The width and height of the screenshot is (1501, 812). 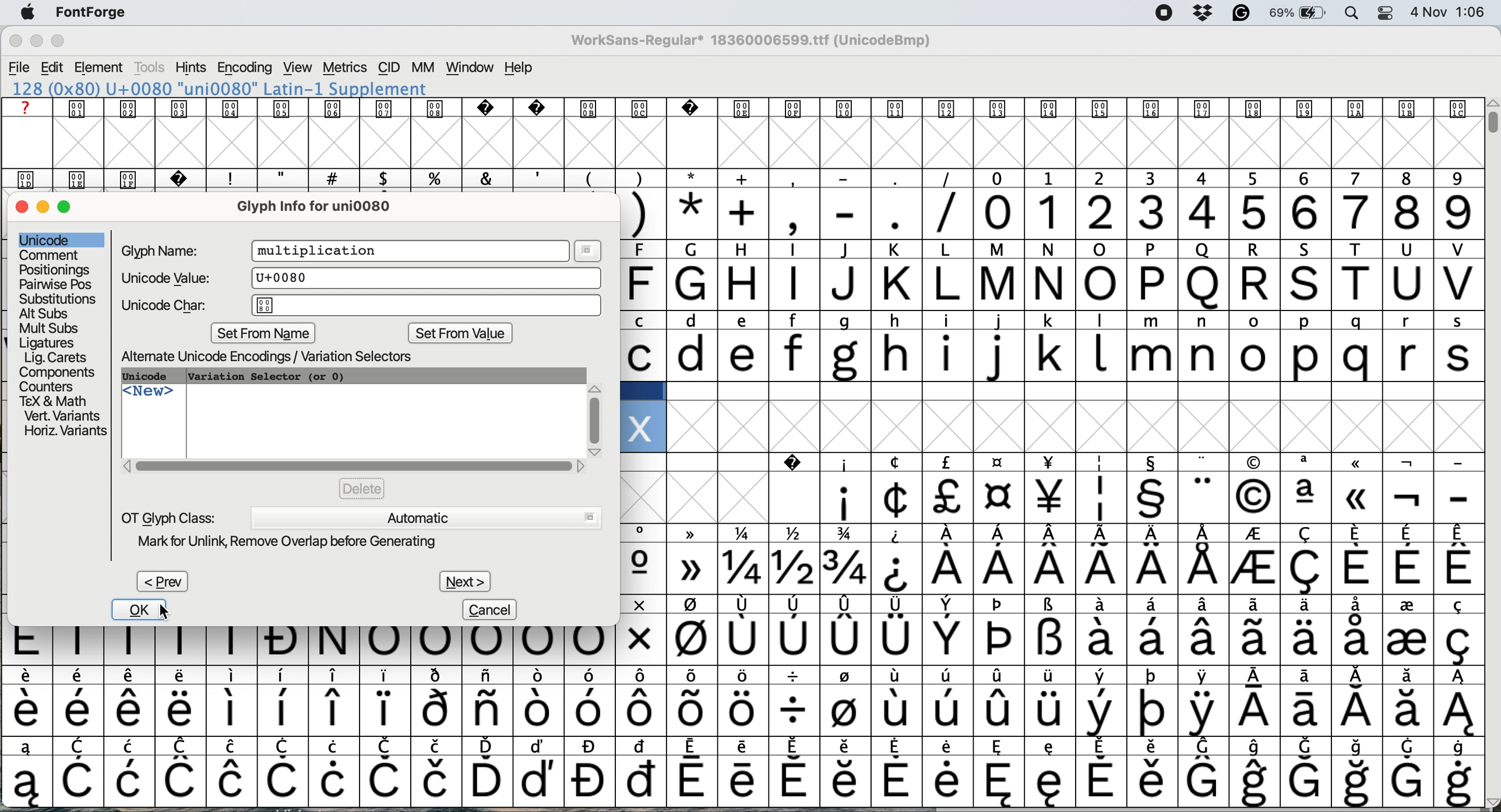 What do you see at coordinates (425, 517) in the screenshot?
I see `automatic` at bounding box center [425, 517].